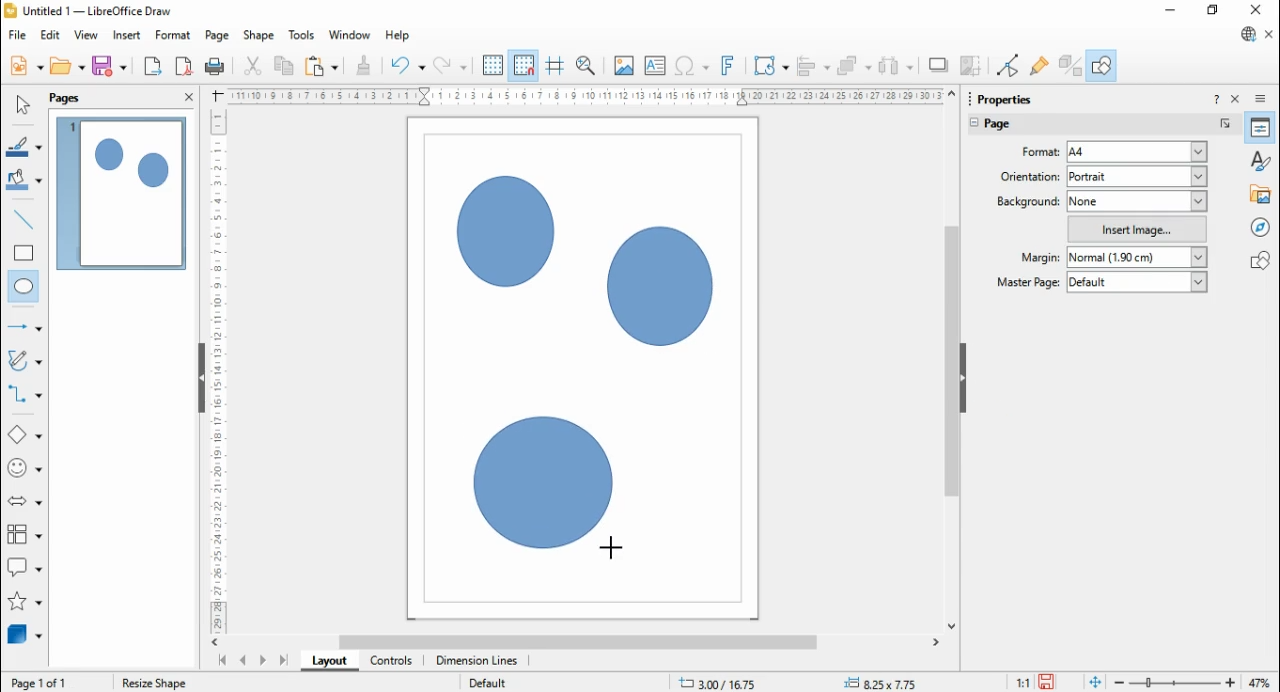 The image size is (1280, 692). I want to click on Page 1 0f 1 (Layout), so click(58, 682).